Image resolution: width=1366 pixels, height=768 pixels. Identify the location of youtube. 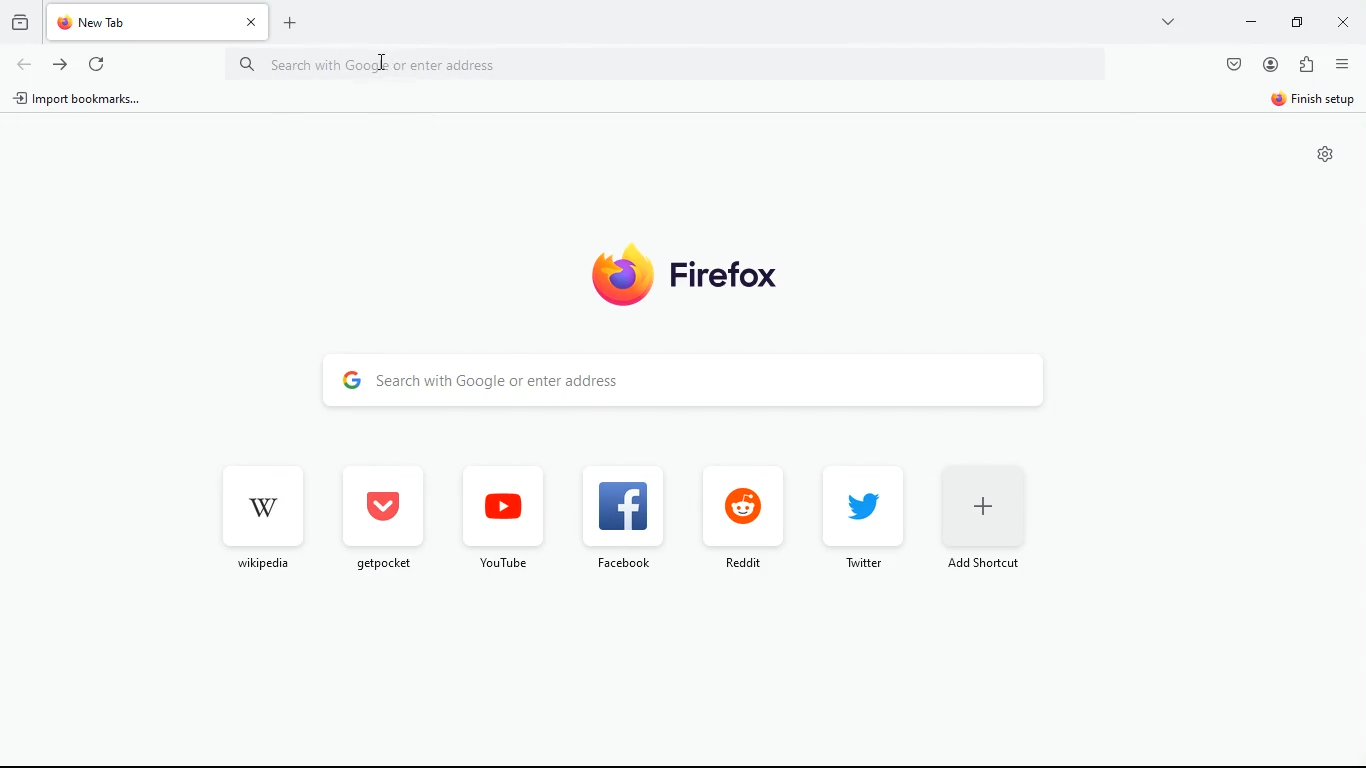
(502, 517).